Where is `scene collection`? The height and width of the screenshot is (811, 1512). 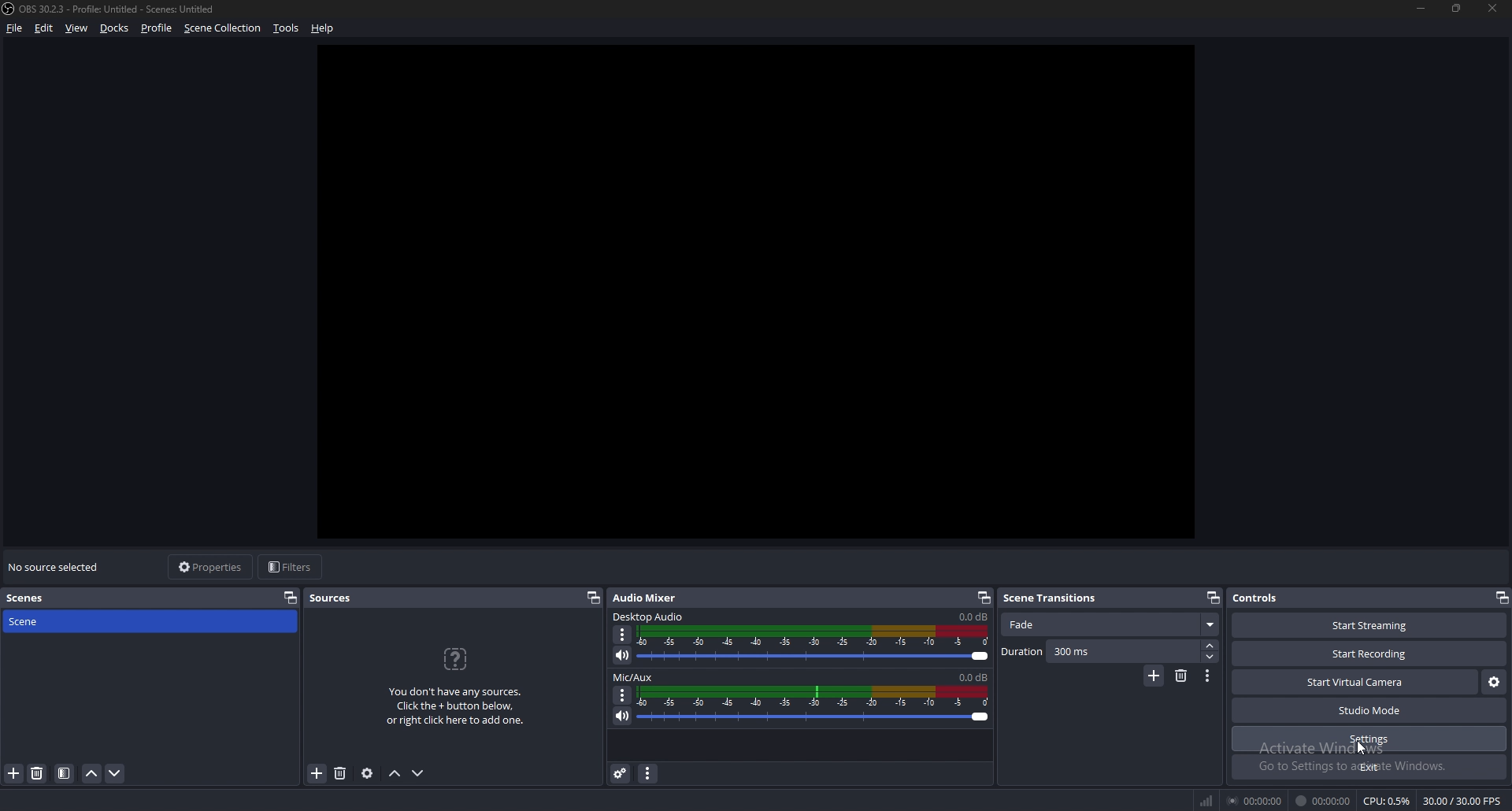 scene collection is located at coordinates (224, 28).